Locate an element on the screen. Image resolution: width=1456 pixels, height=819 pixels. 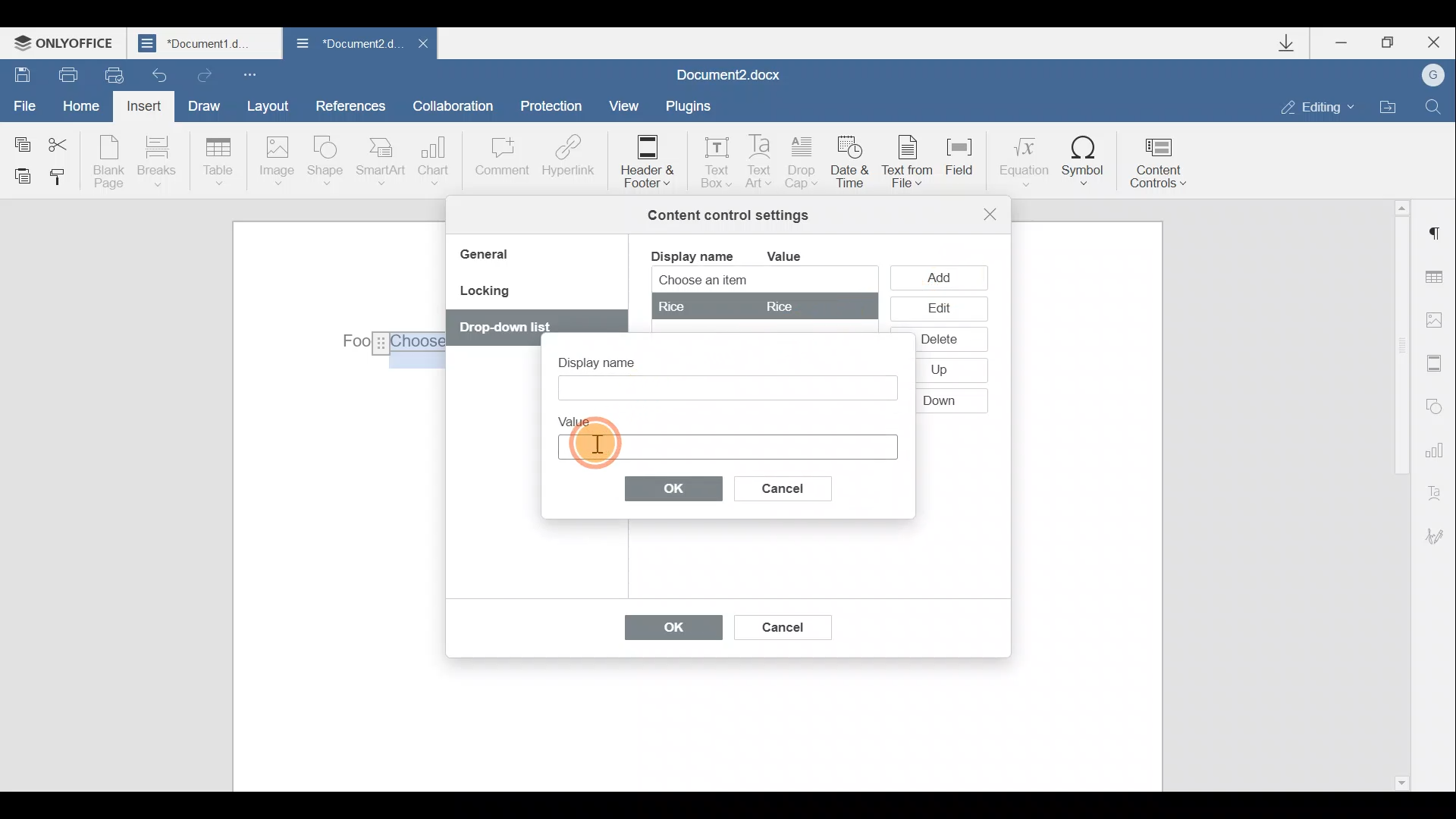
Choose an item is located at coordinates (740, 281).